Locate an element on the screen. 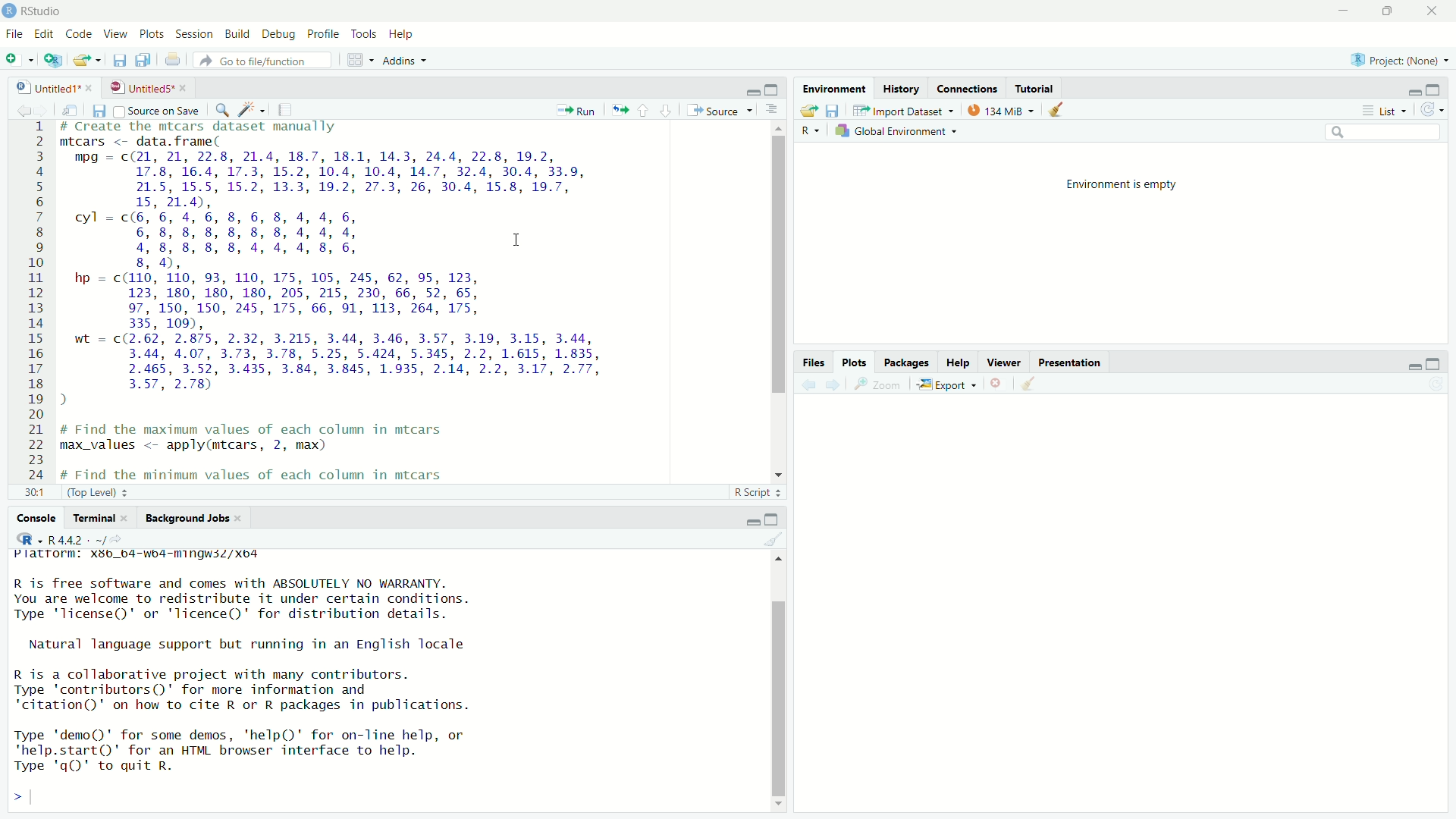 This screenshot has width=1456, height=819. options is located at coordinates (771, 110).